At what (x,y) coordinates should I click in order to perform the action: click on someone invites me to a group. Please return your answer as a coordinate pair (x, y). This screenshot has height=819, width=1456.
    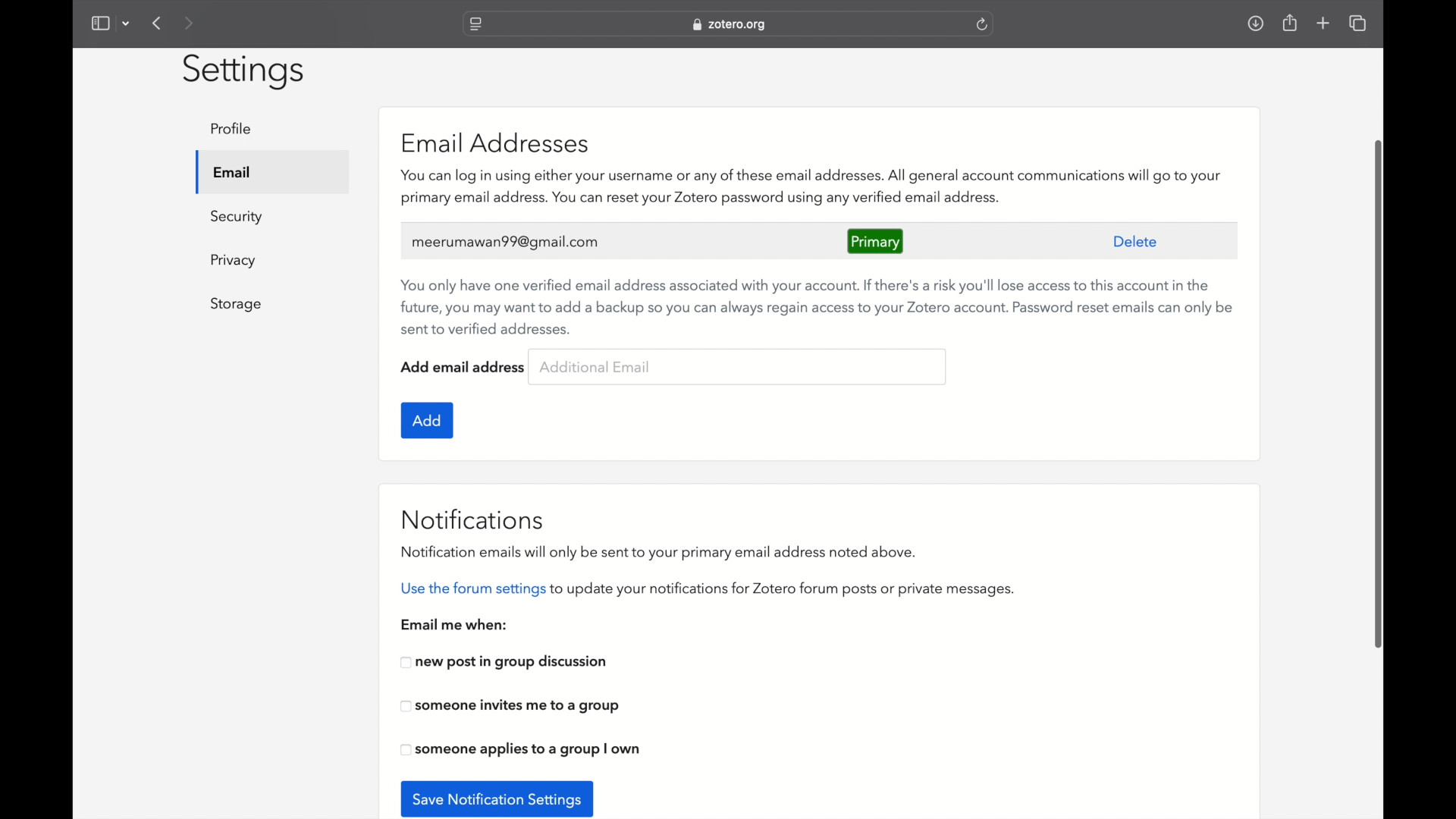
    Looking at the image, I should click on (511, 707).